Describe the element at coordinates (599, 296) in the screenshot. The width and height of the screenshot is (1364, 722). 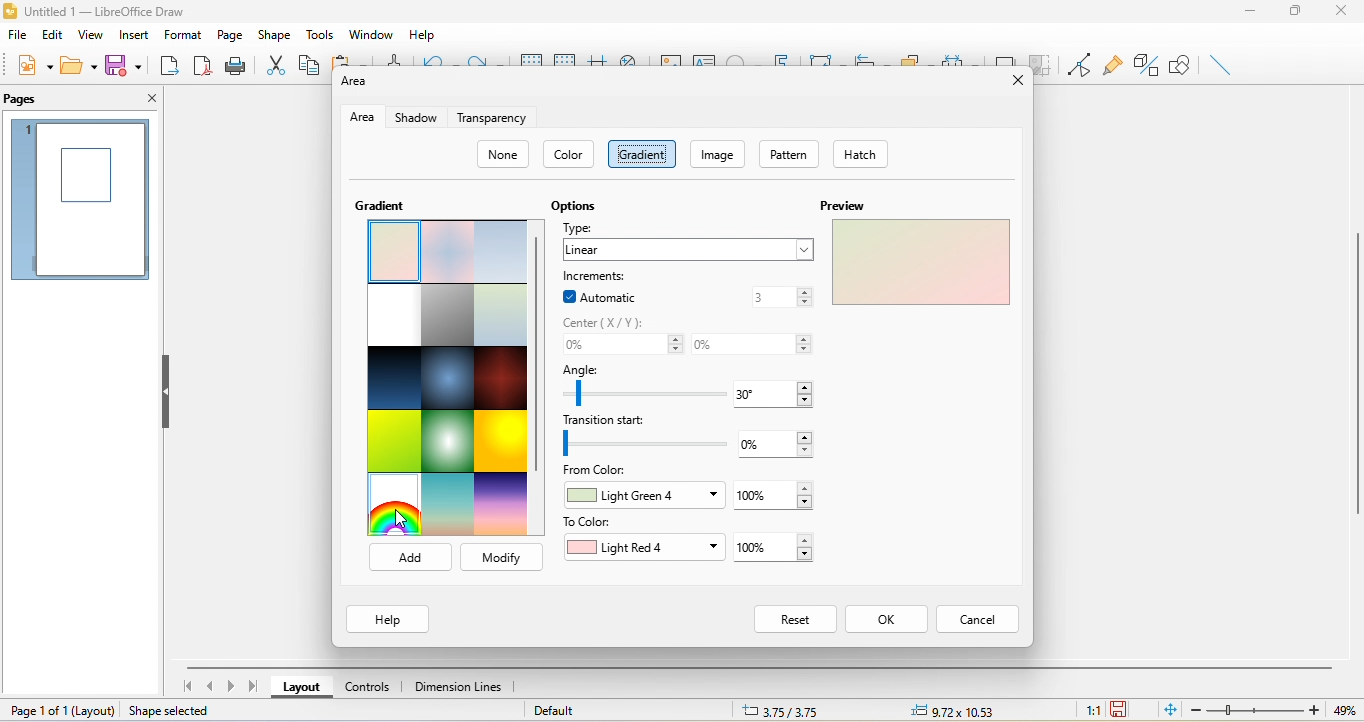
I see `automatic` at that location.